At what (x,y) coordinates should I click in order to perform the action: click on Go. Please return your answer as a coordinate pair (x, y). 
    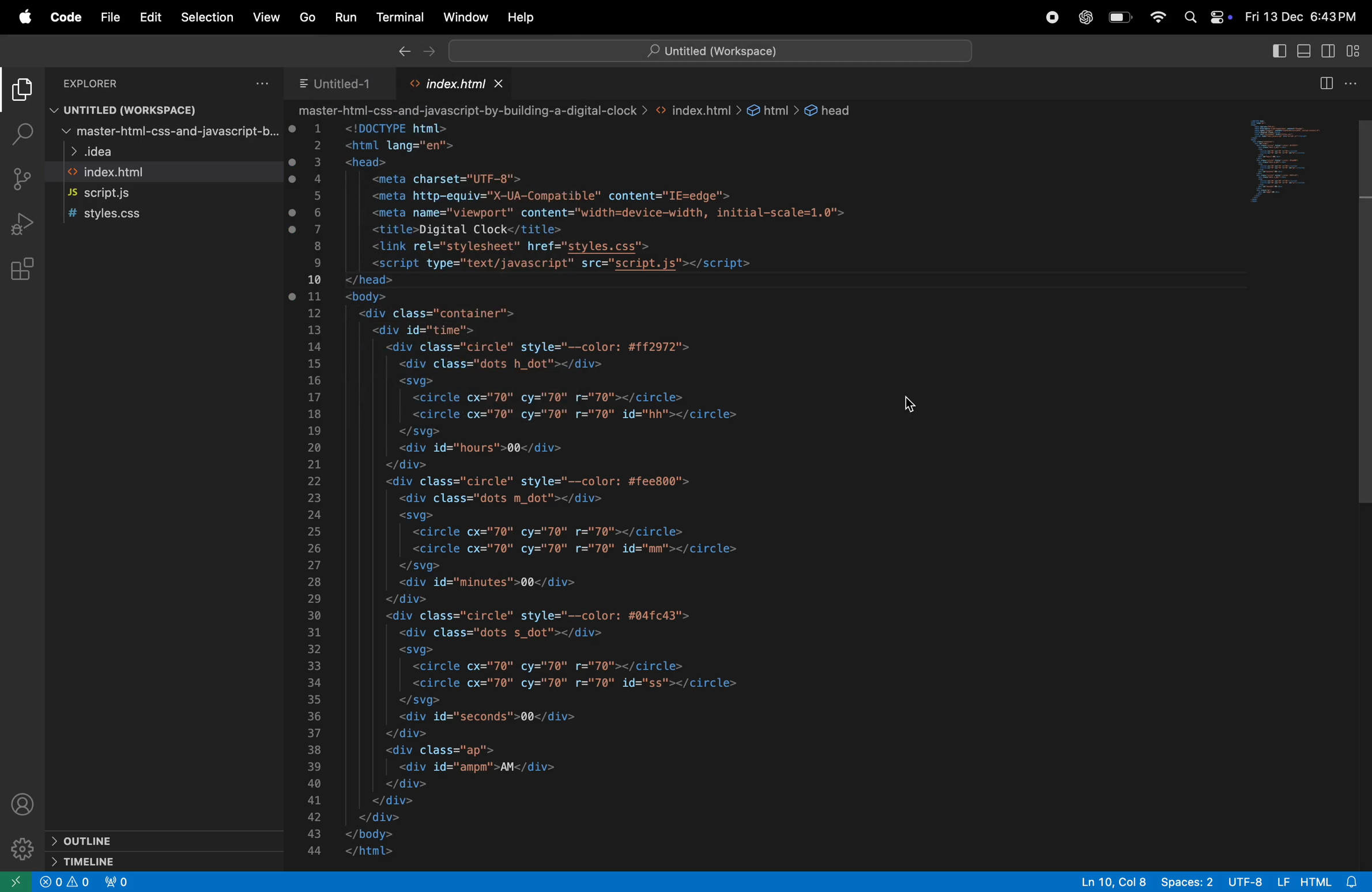
    Looking at the image, I should click on (309, 18).